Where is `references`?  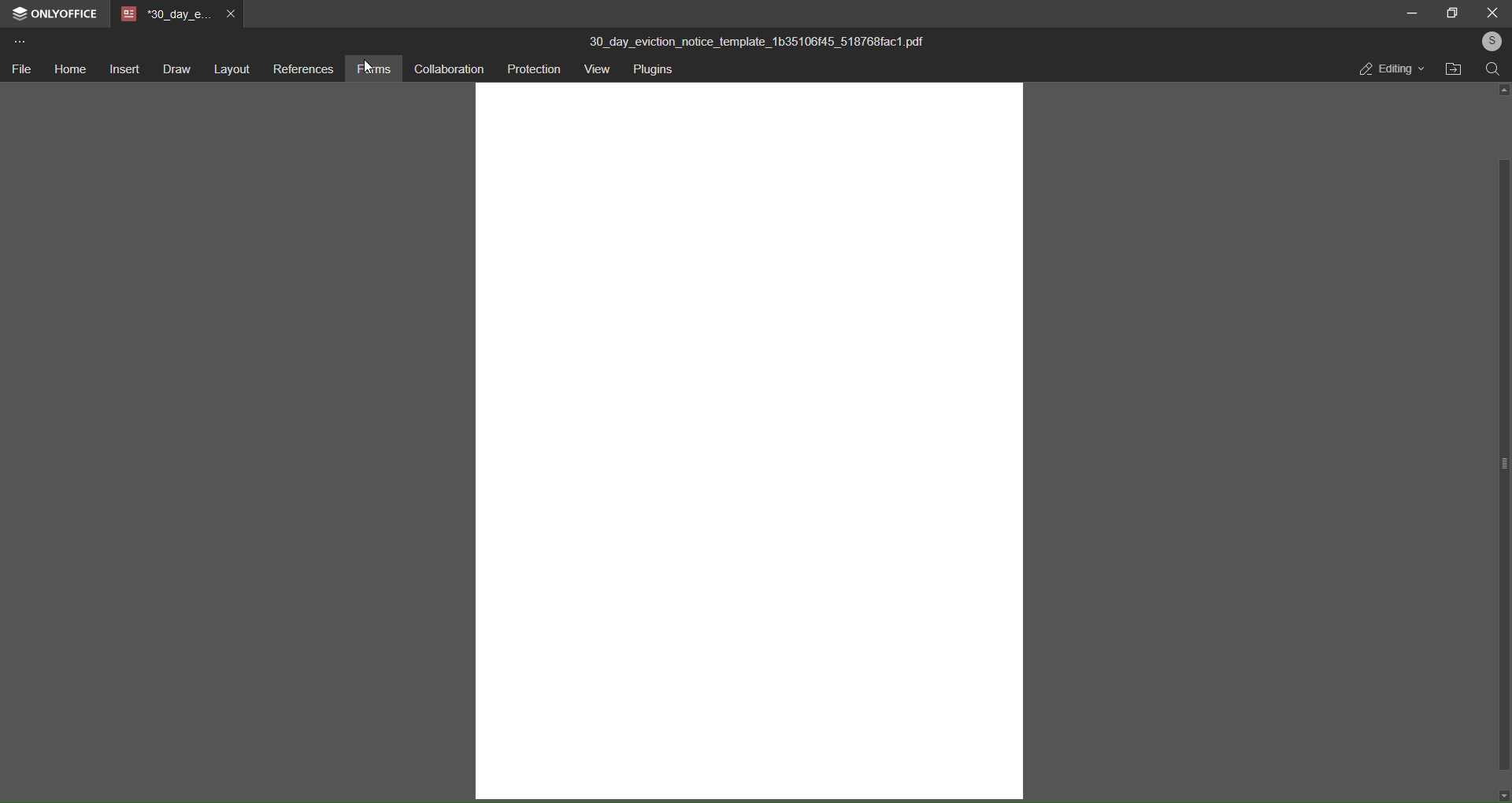 references is located at coordinates (303, 68).